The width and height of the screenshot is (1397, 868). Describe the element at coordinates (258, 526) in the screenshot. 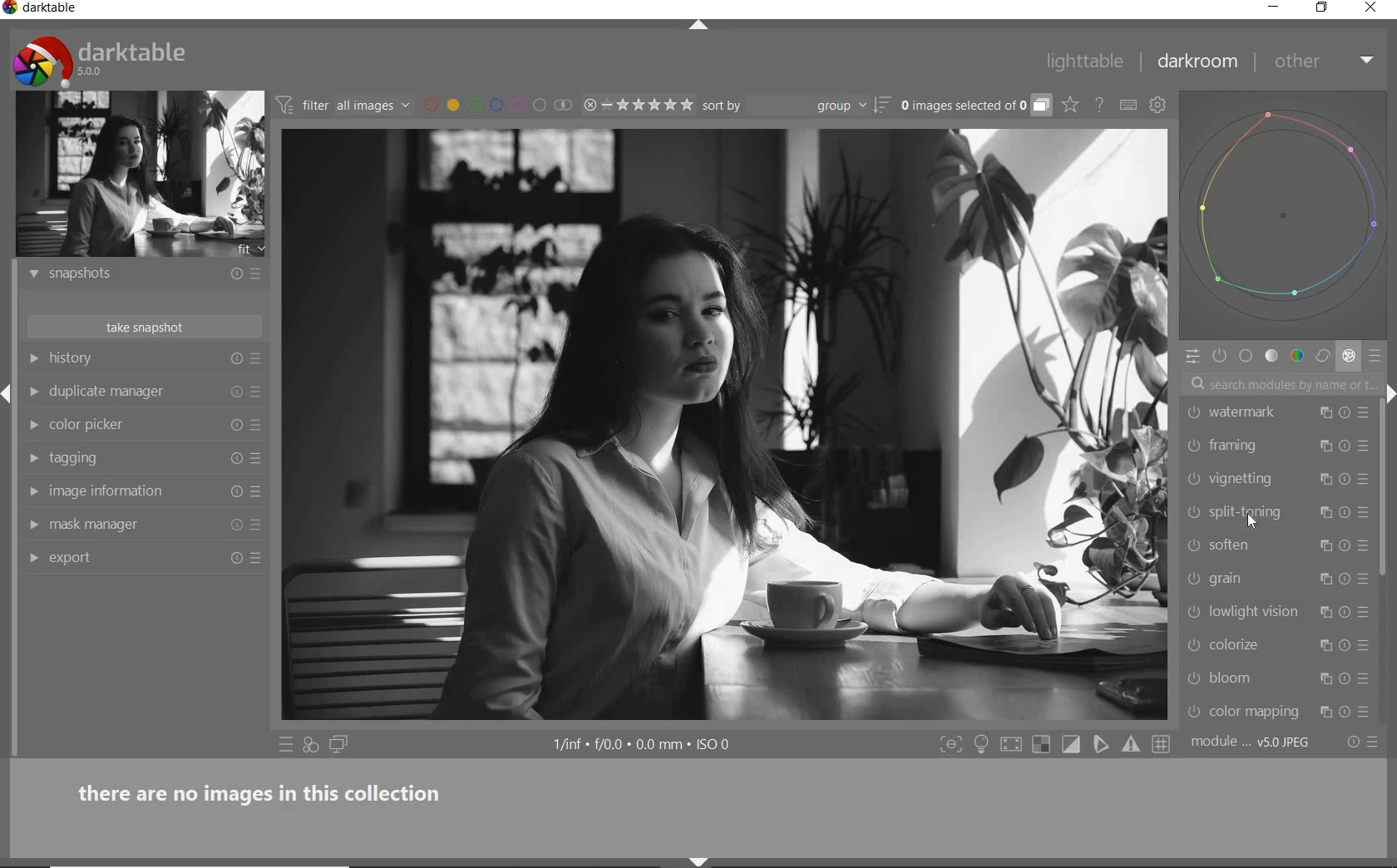

I see `preset and preferences` at that location.